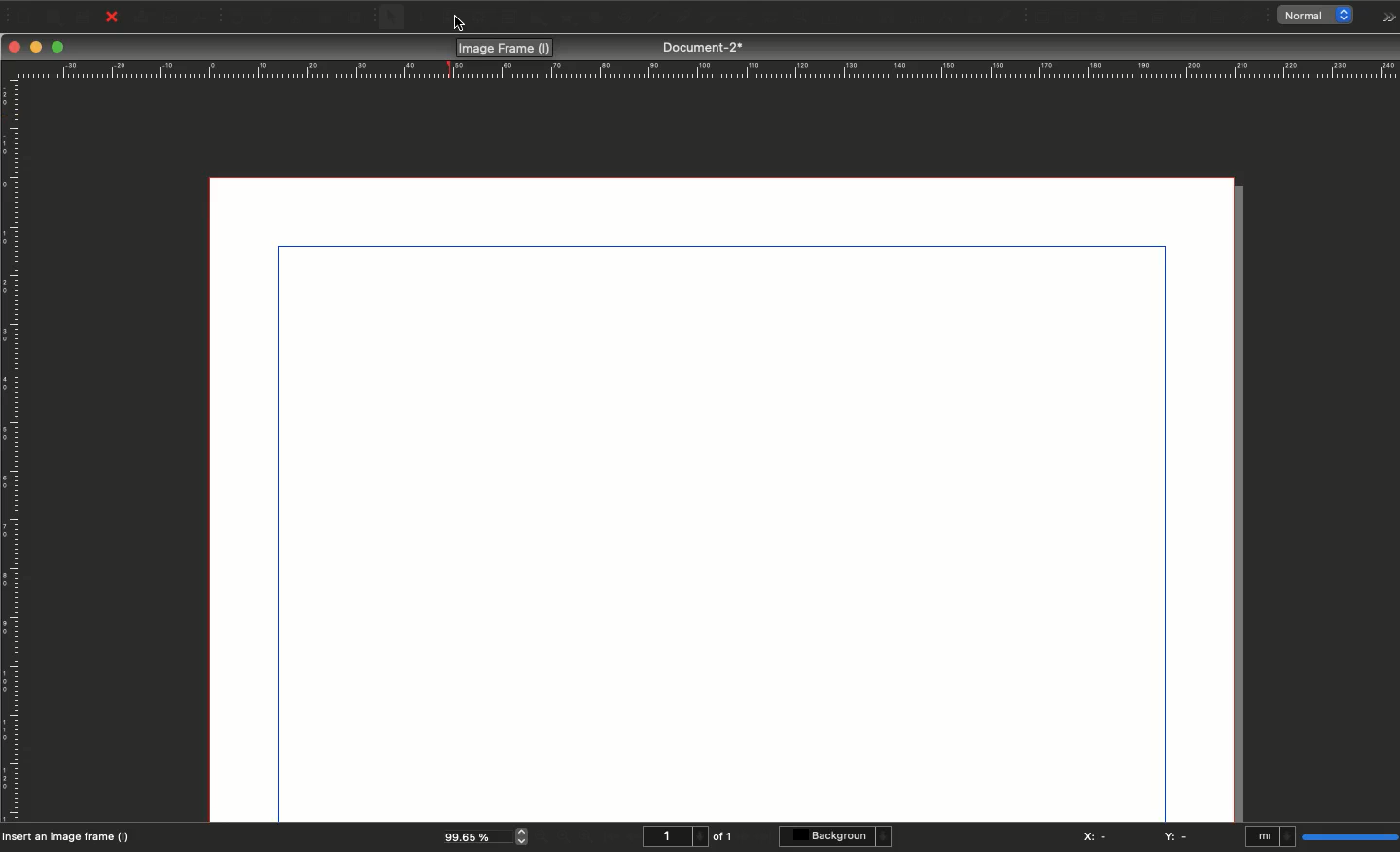 The width and height of the screenshot is (1400, 852). I want to click on Bézier curve, so click(681, 18).